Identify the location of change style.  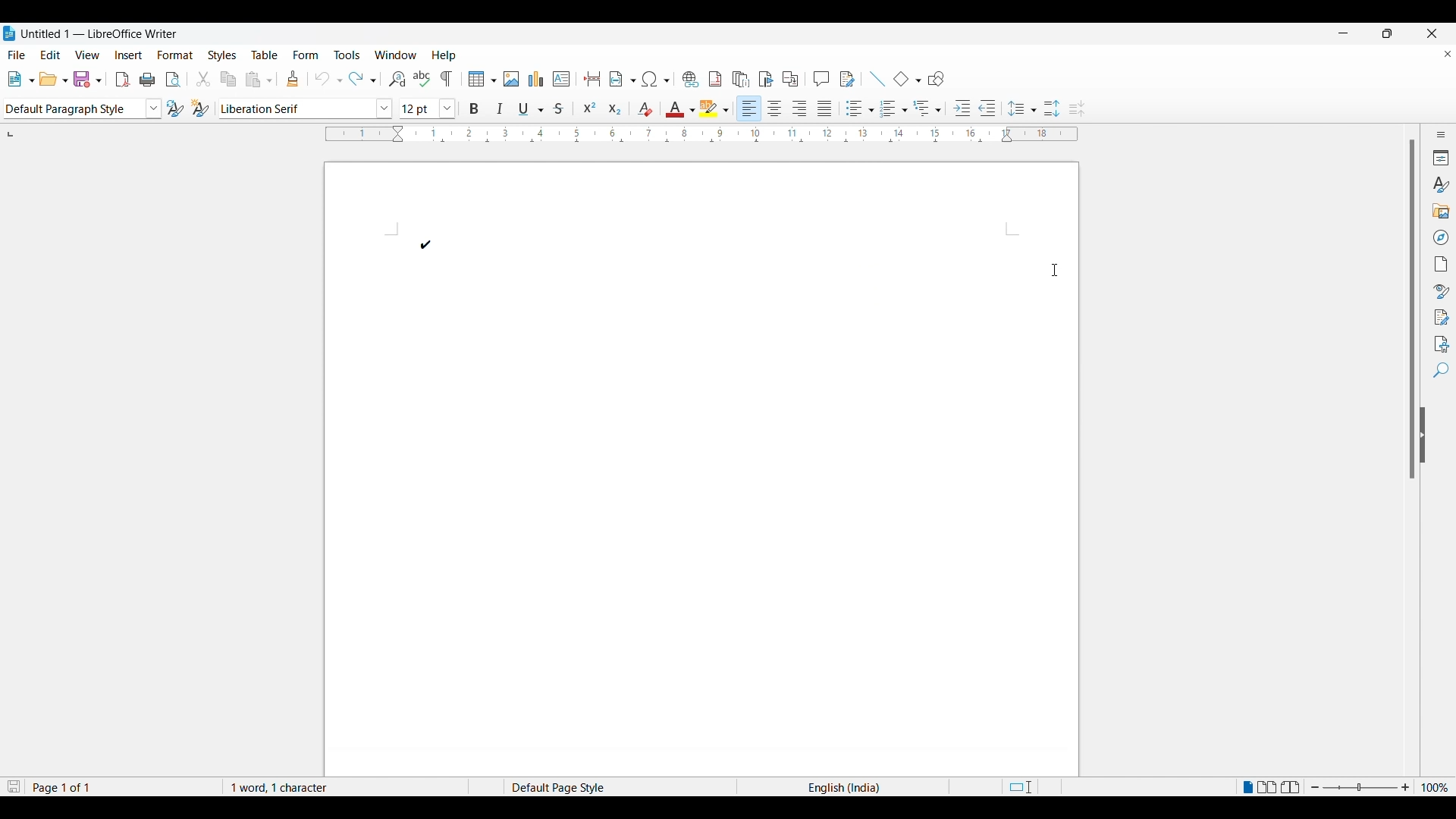
(201, 108).